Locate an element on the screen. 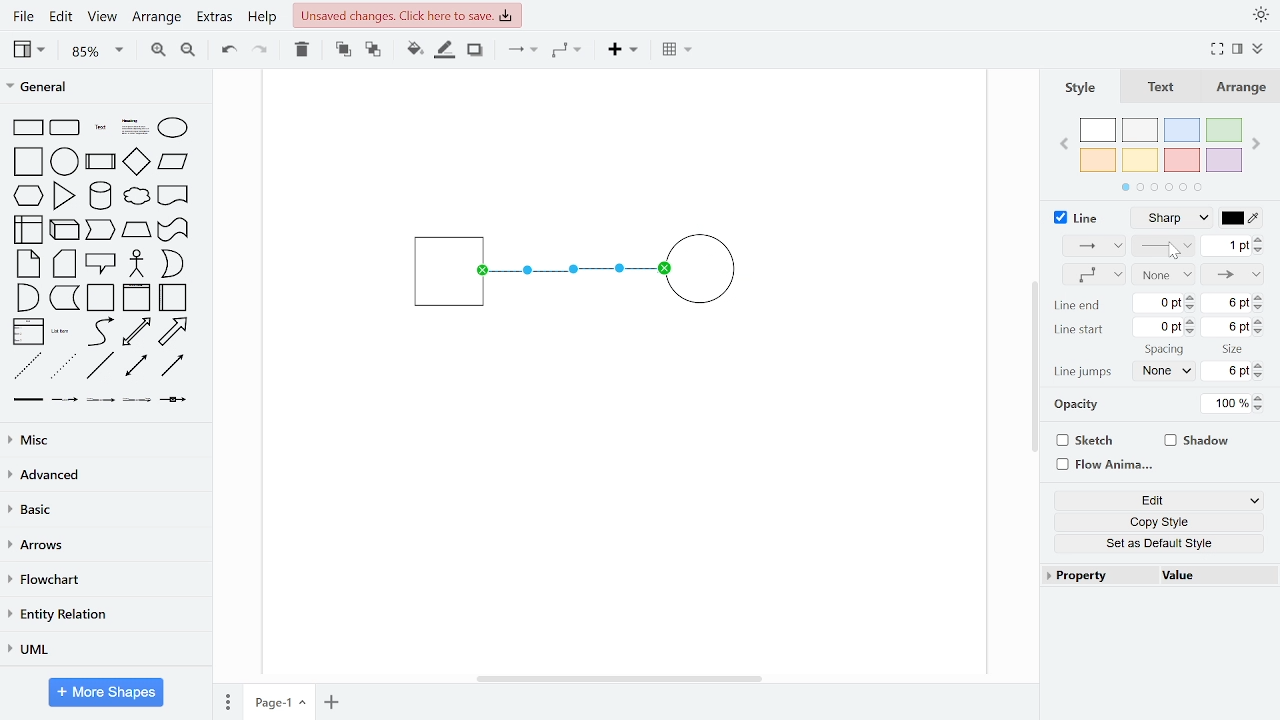 The width and height of the screenshot is (1280, 720). cloud is located at coordinates (135, 197).